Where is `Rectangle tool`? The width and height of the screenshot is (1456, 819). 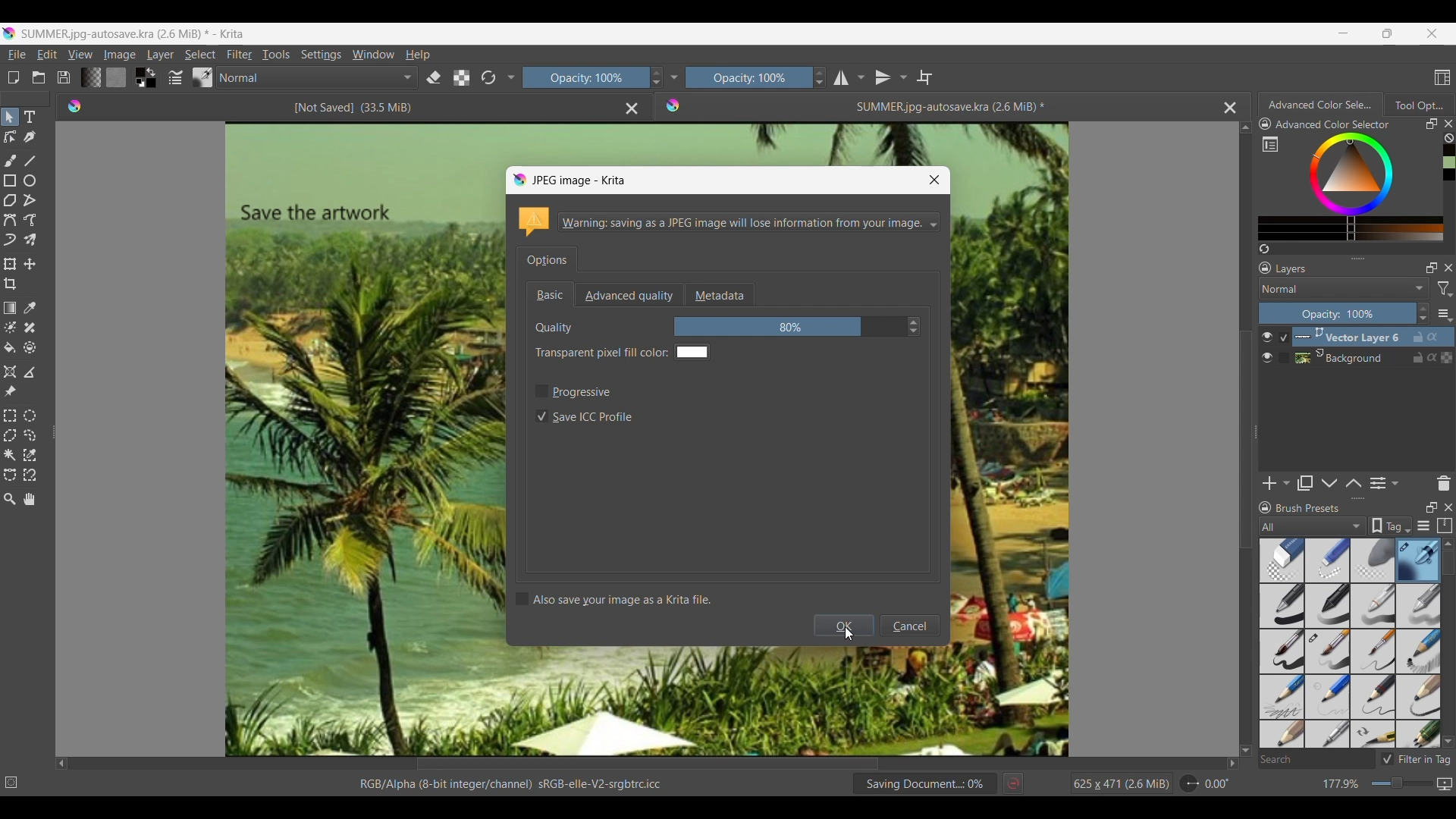 Rectangle tool is located at coordinates (10, 180).